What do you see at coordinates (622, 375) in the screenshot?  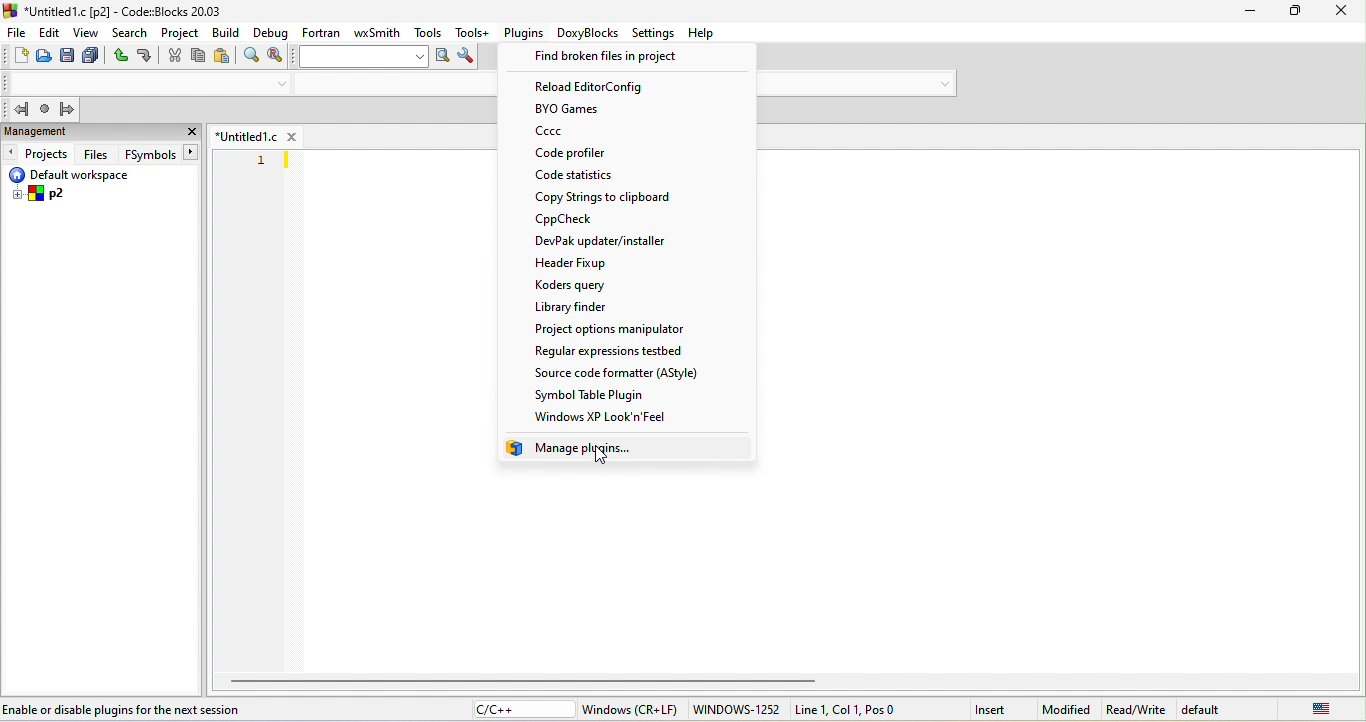 I see `source code formatter` at bounding box center [622, 375].